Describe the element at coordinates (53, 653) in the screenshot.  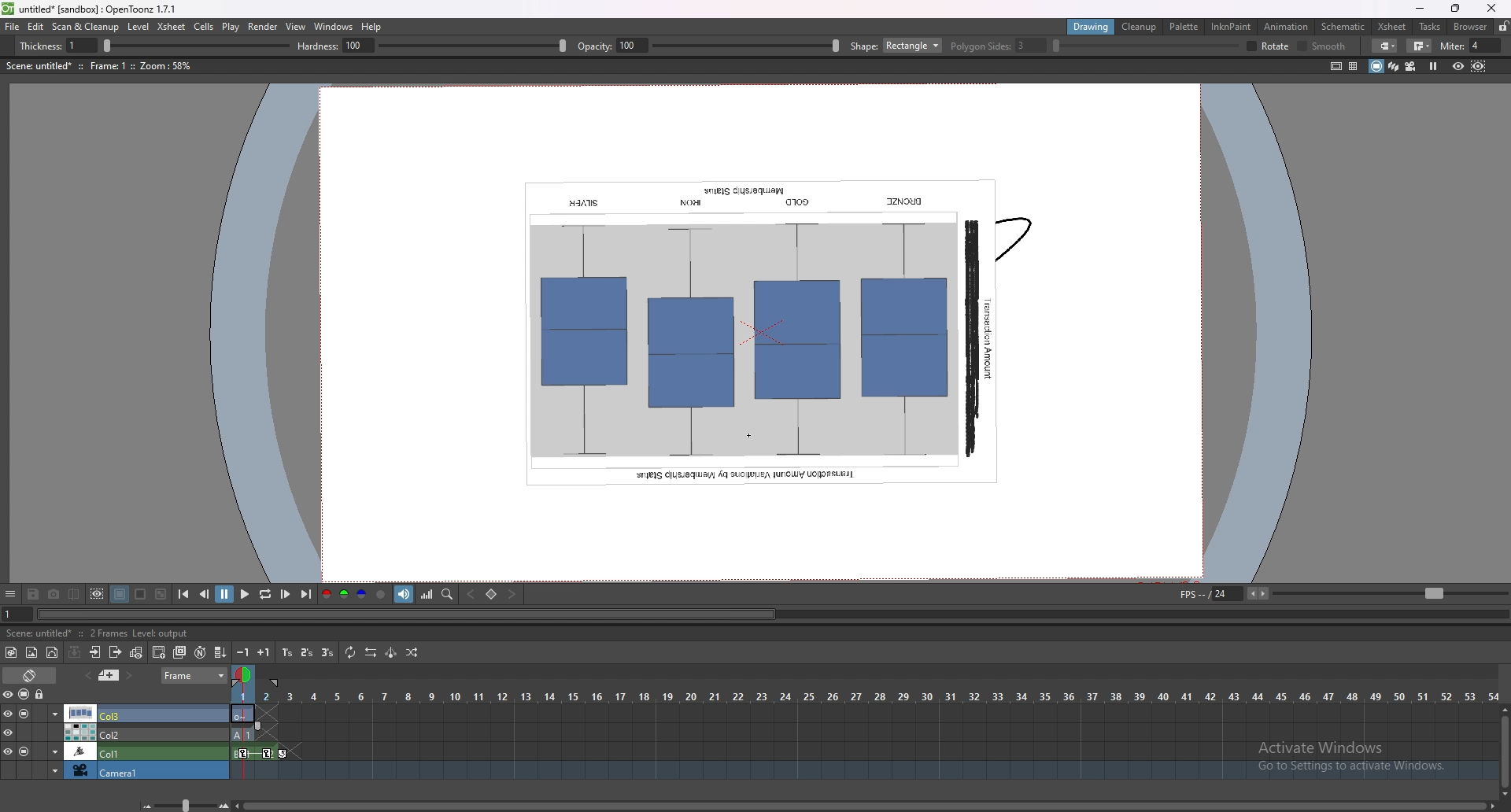
I see `new vector level` at that location.